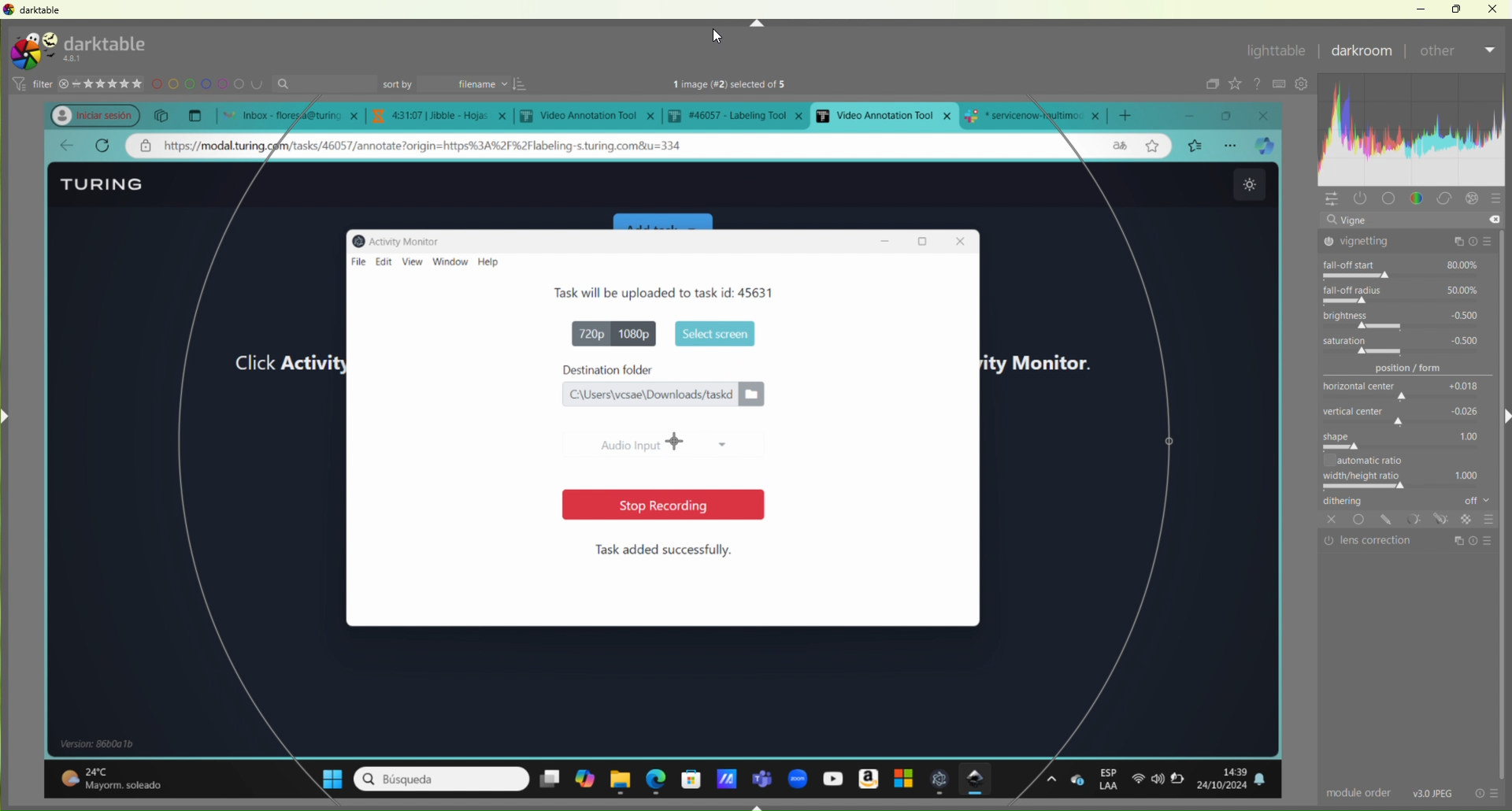 The width and height of the screenshot is (1512, 811). Describe the element at coordinates (1232, 116) in the screenshot. I see `maximize` at that location.